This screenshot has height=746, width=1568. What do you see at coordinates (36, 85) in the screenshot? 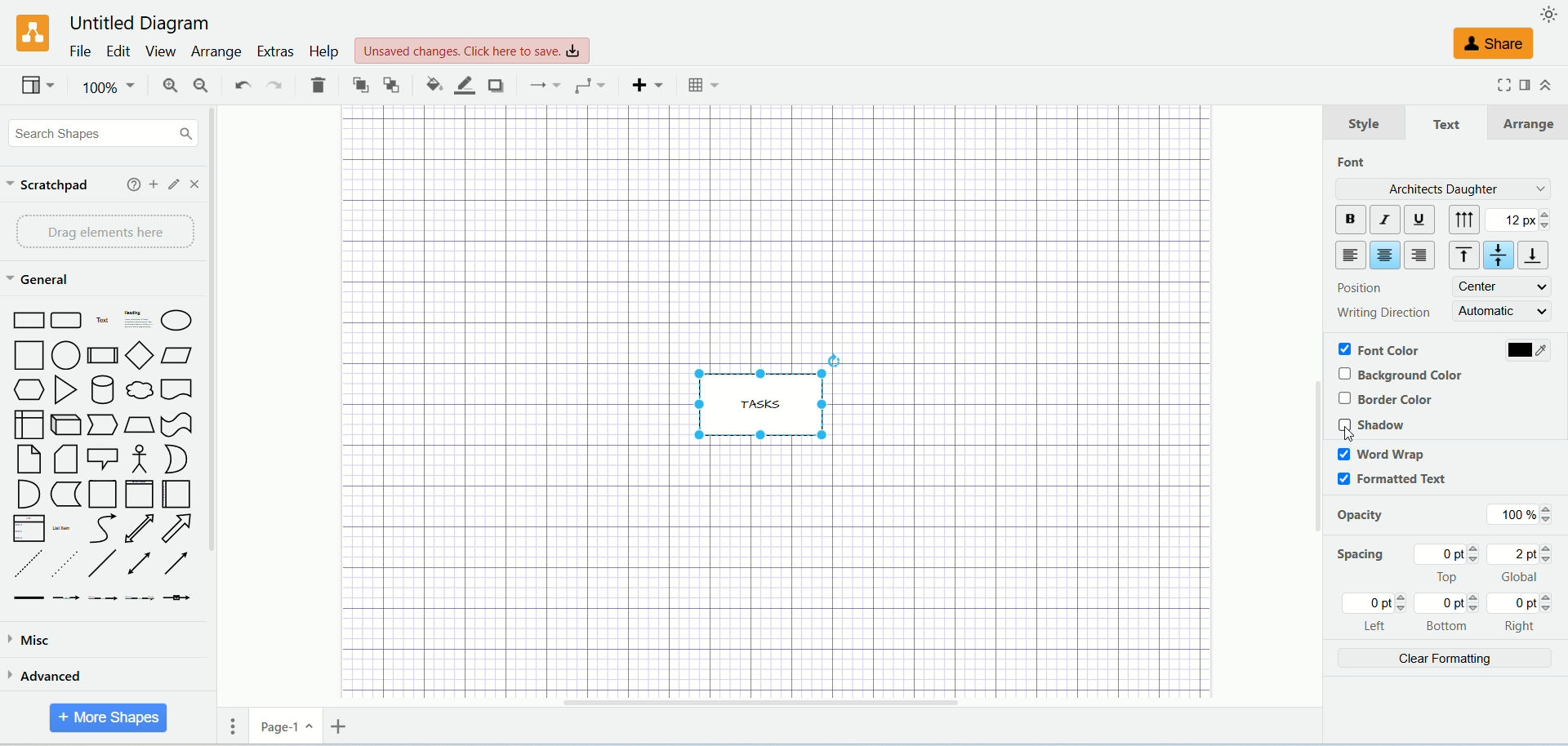
I see `view` at bounding box center [36, 85].